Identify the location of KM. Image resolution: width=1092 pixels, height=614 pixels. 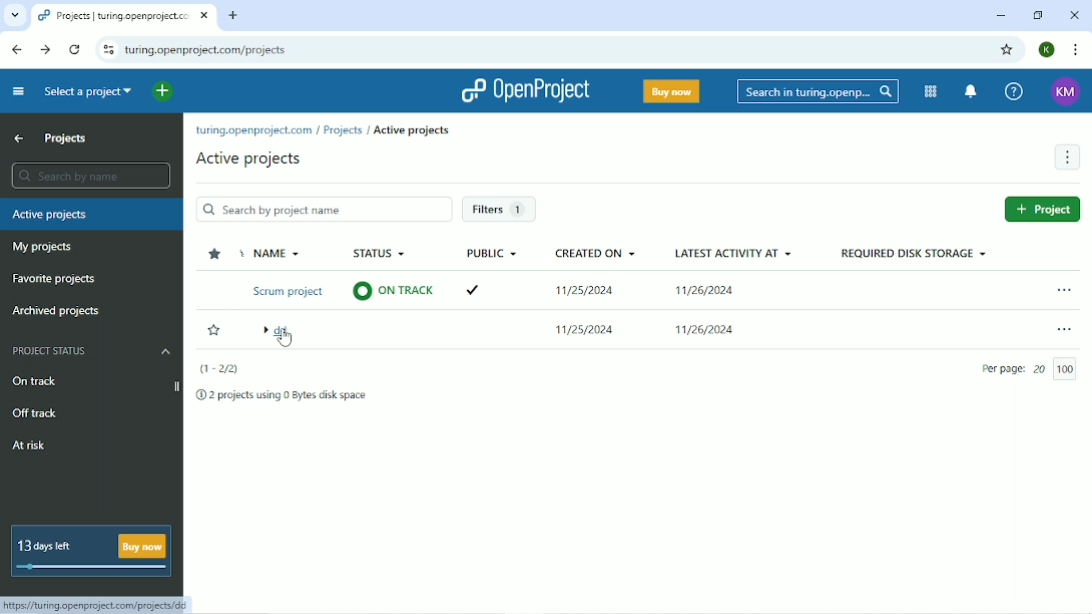
(1067, 91).